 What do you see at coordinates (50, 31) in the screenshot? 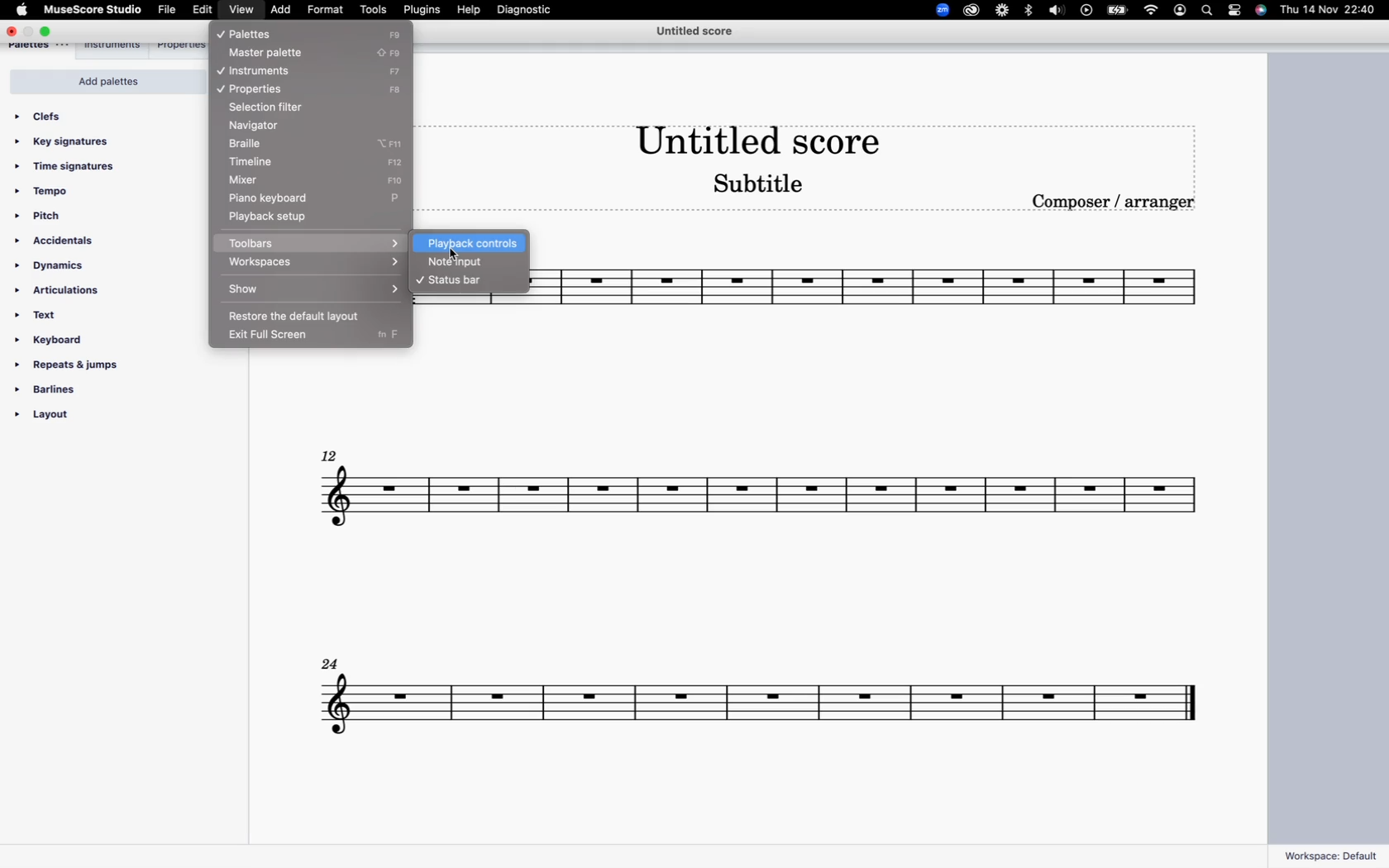
I see `maximize` at bounding box center [50, 31].